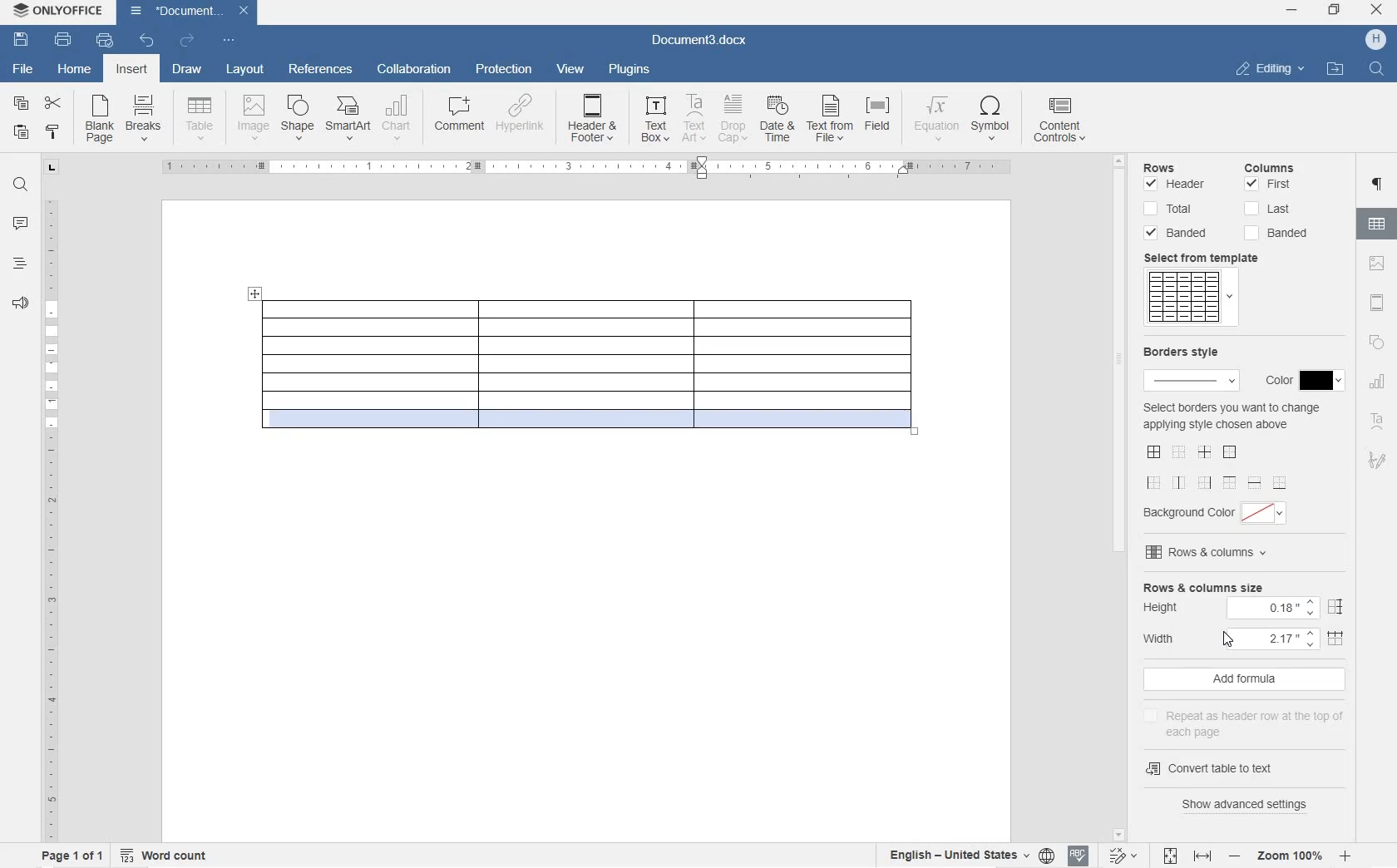 The width and height of the screenshot is (1397, 868). What do you see at coordinates (1246, 586) in the screenshot?
I see `rows & columns size` at bounding box center [1246, 586].